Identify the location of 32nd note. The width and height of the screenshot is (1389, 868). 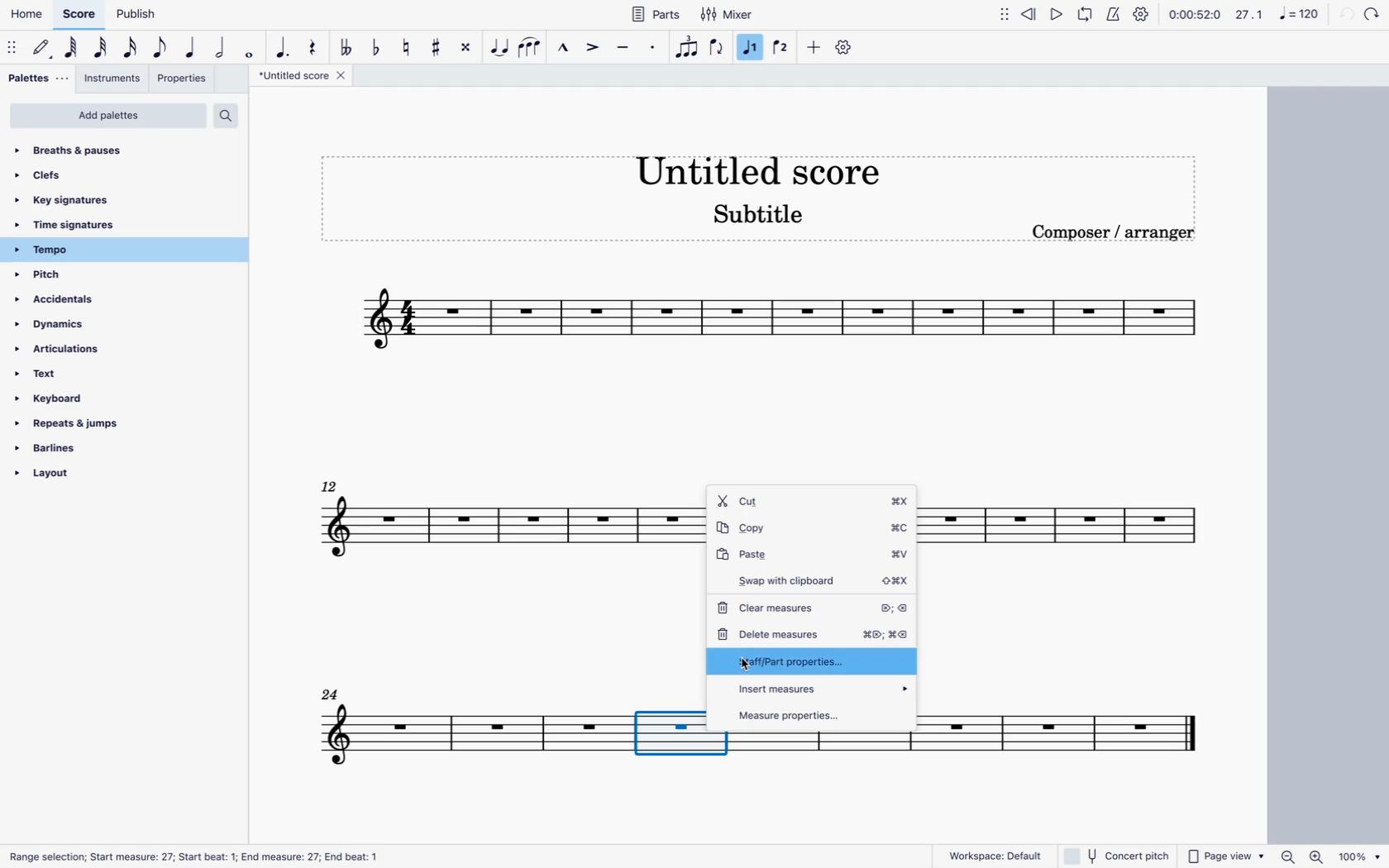
(102, 49).